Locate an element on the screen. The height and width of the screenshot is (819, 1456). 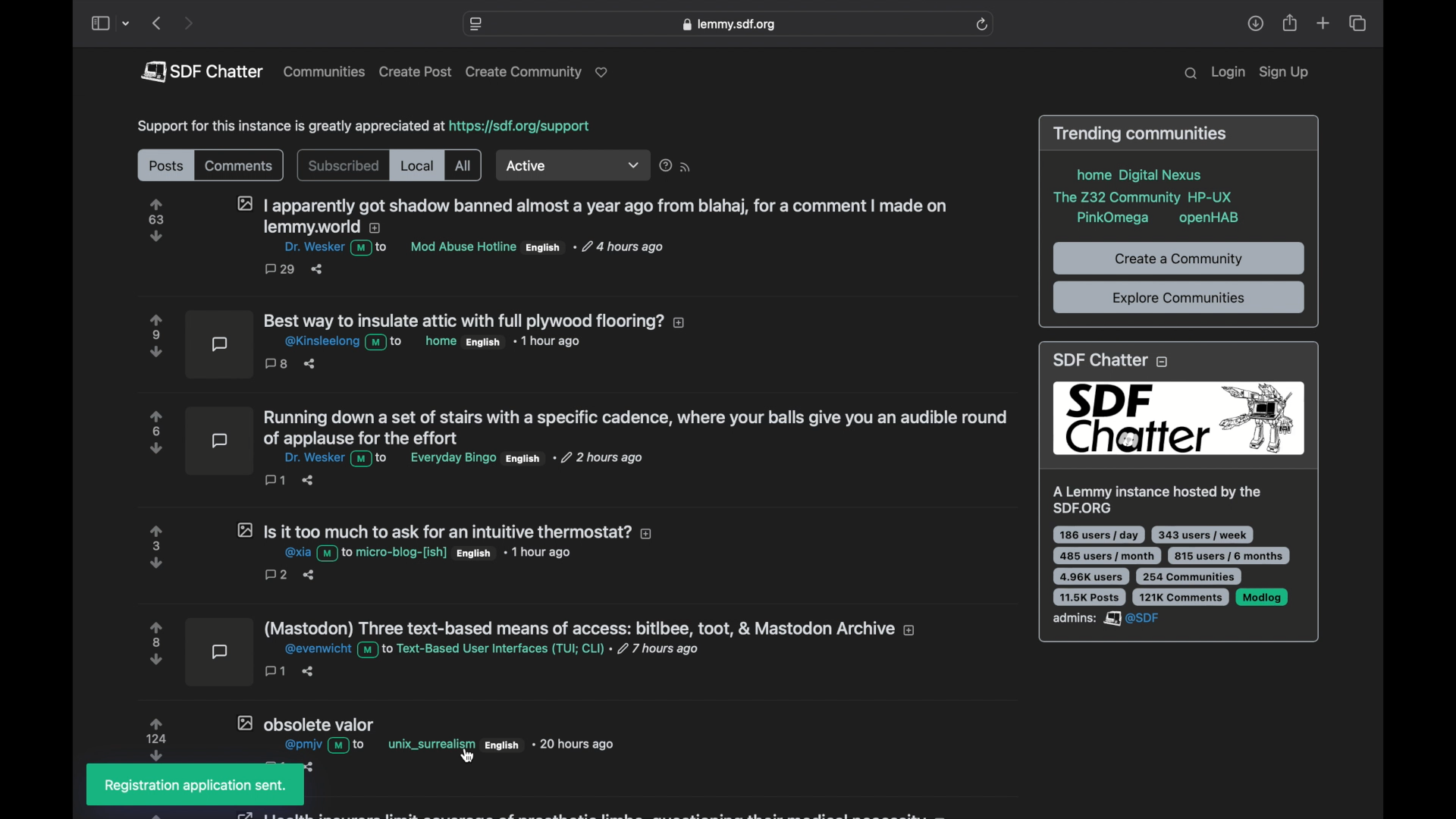
tab group picker is located at coordinates (127, 24).